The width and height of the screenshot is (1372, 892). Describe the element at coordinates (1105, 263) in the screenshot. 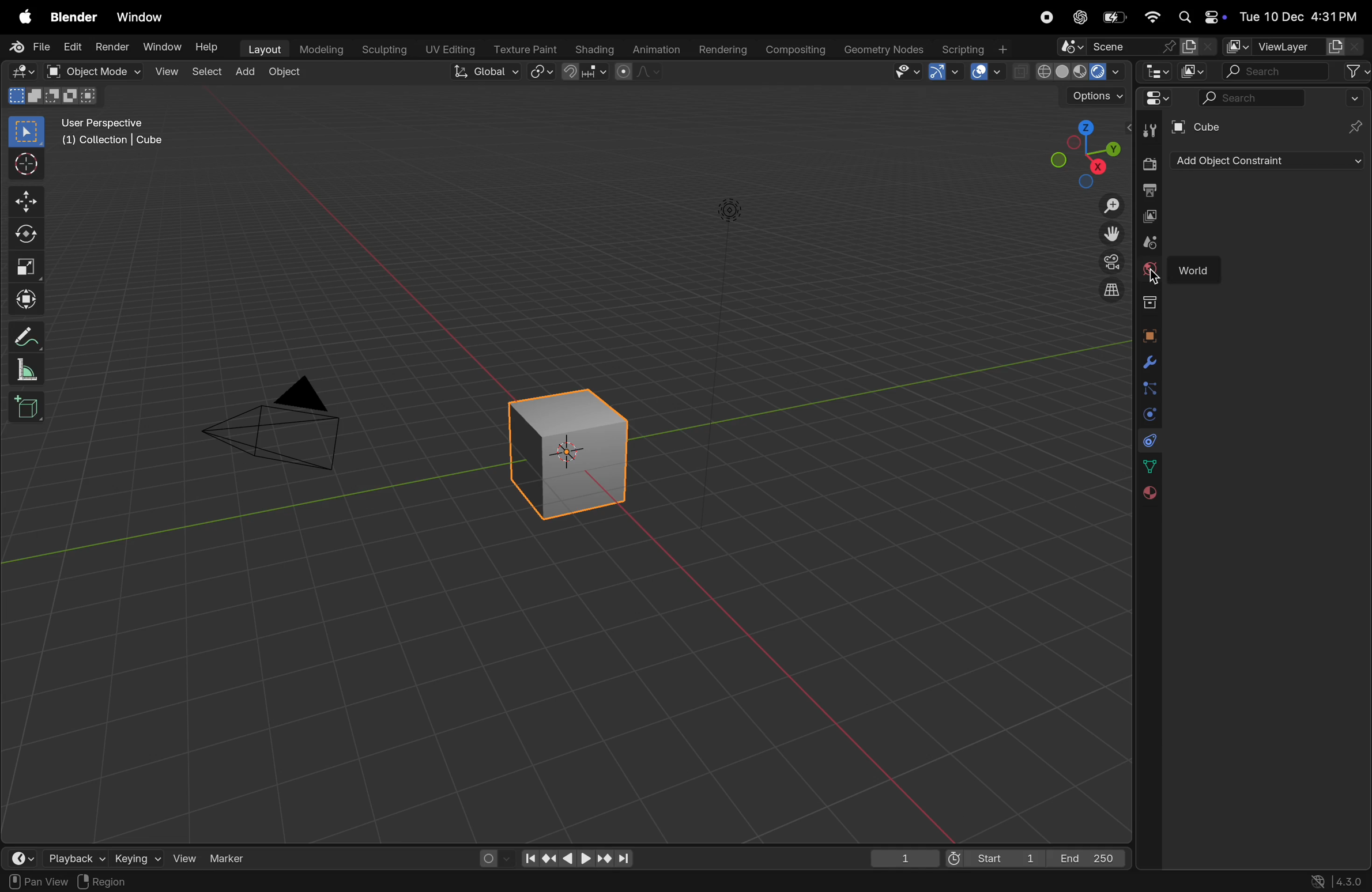

I see `camera` at that location.